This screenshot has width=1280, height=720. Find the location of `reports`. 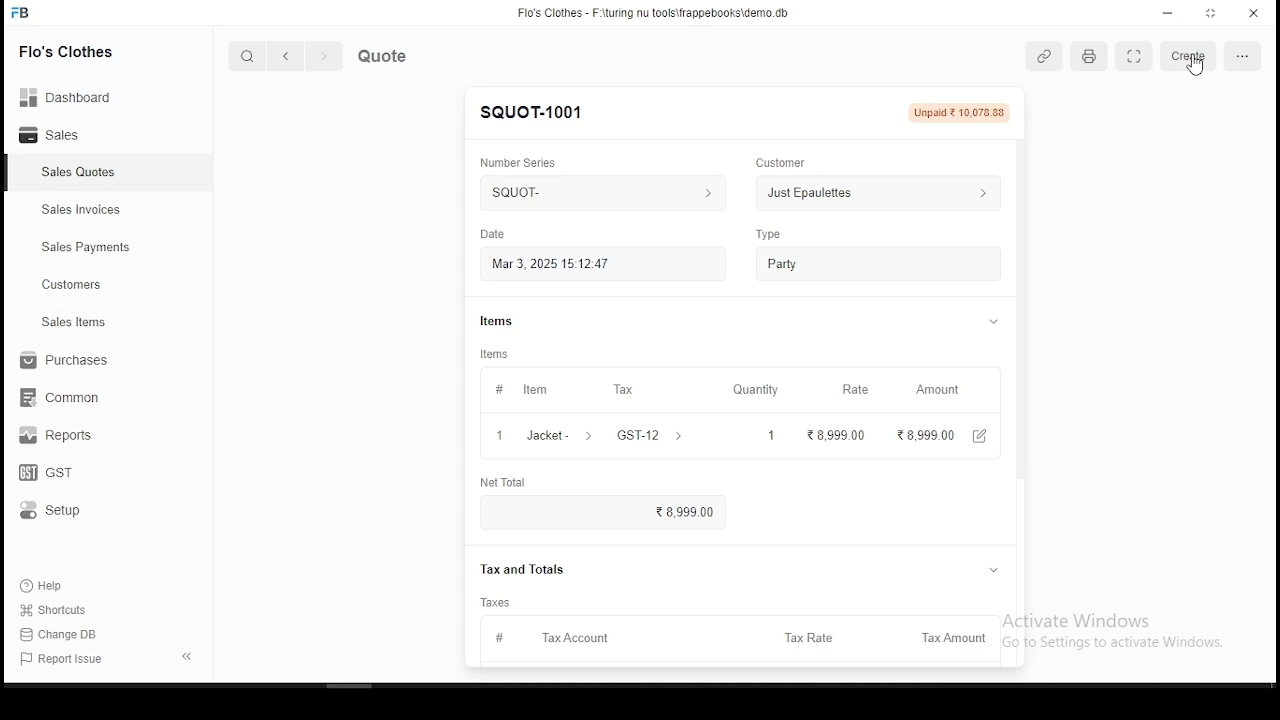

reports is located at coordinates (58, 437).